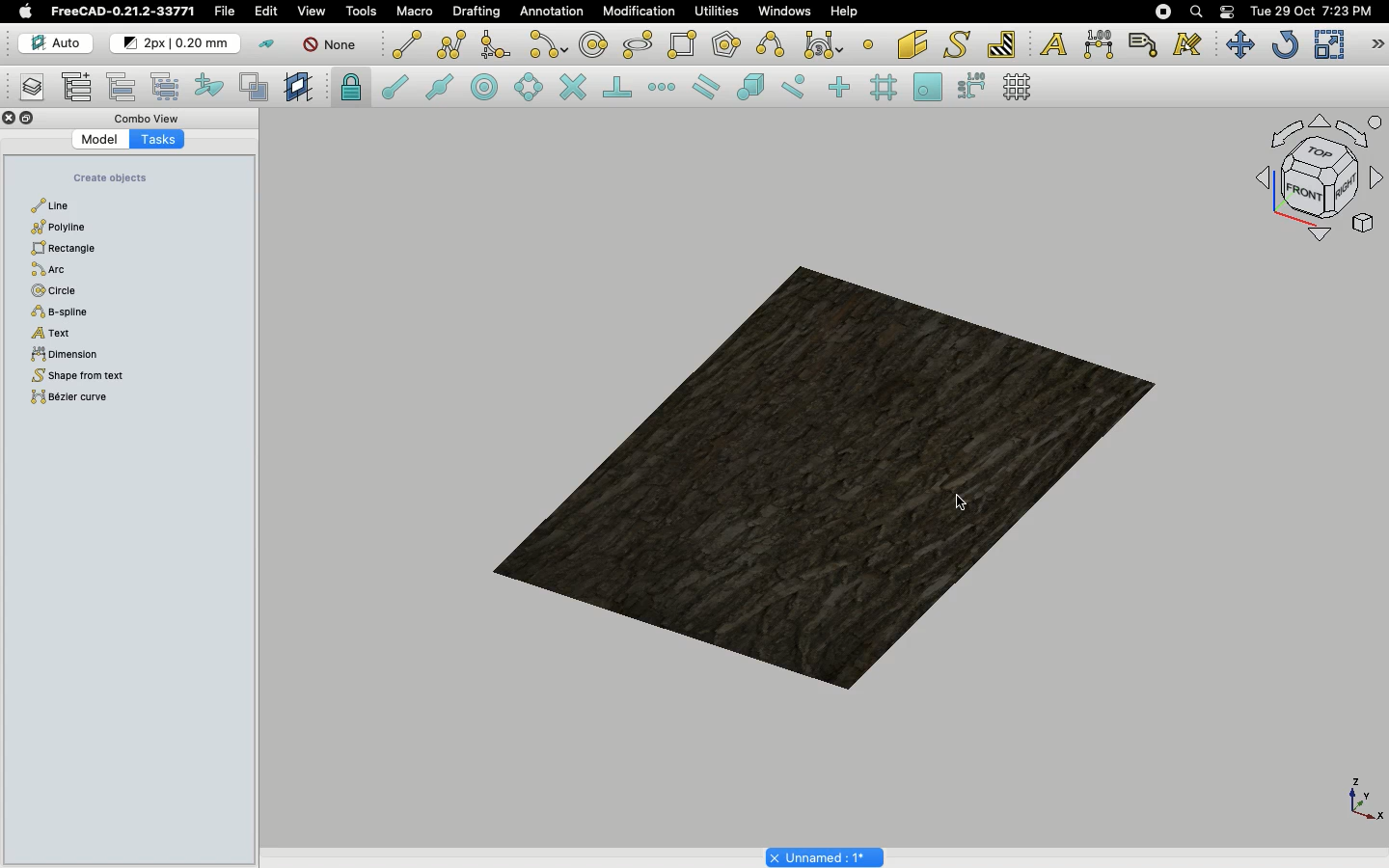 This screenshot has width=1389, height=868. Describe the element at coordinates (1312, 12) in the screenshot. I see `Date/time` at that location.